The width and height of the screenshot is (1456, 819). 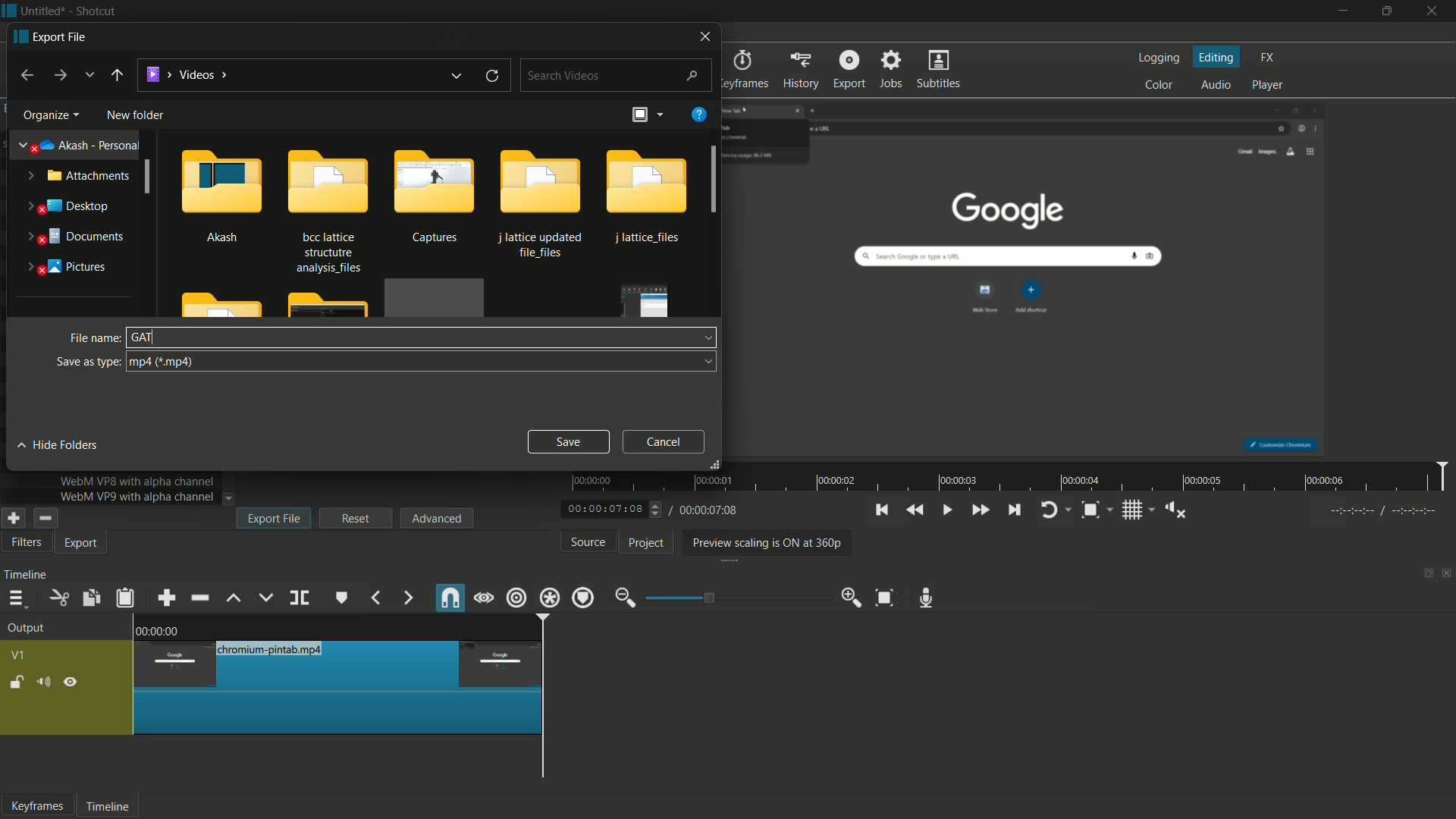 I want to click on zoom in, so click(x=852, y=596).